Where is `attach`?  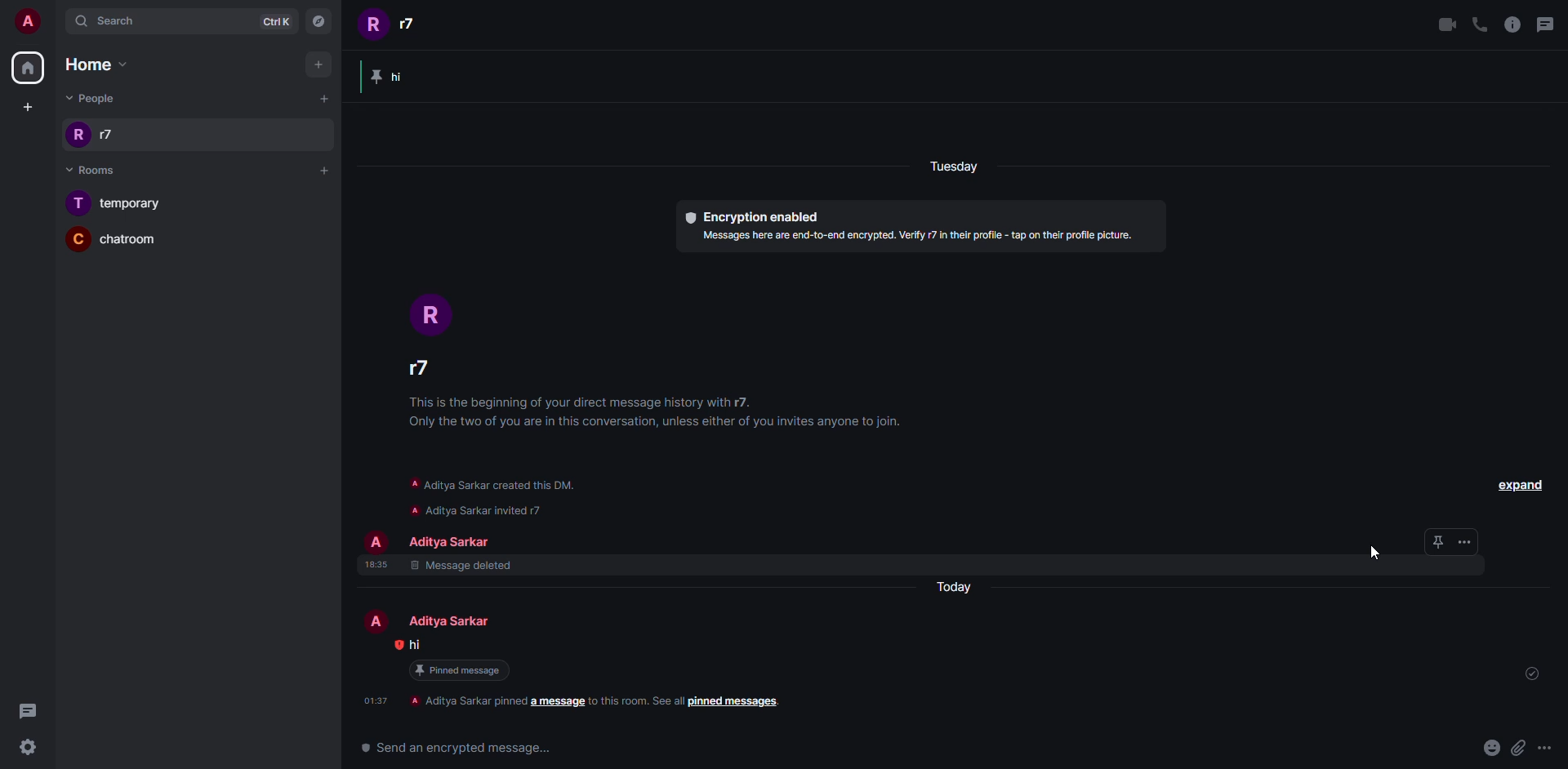
attach is located at coordinates (1517, 747).